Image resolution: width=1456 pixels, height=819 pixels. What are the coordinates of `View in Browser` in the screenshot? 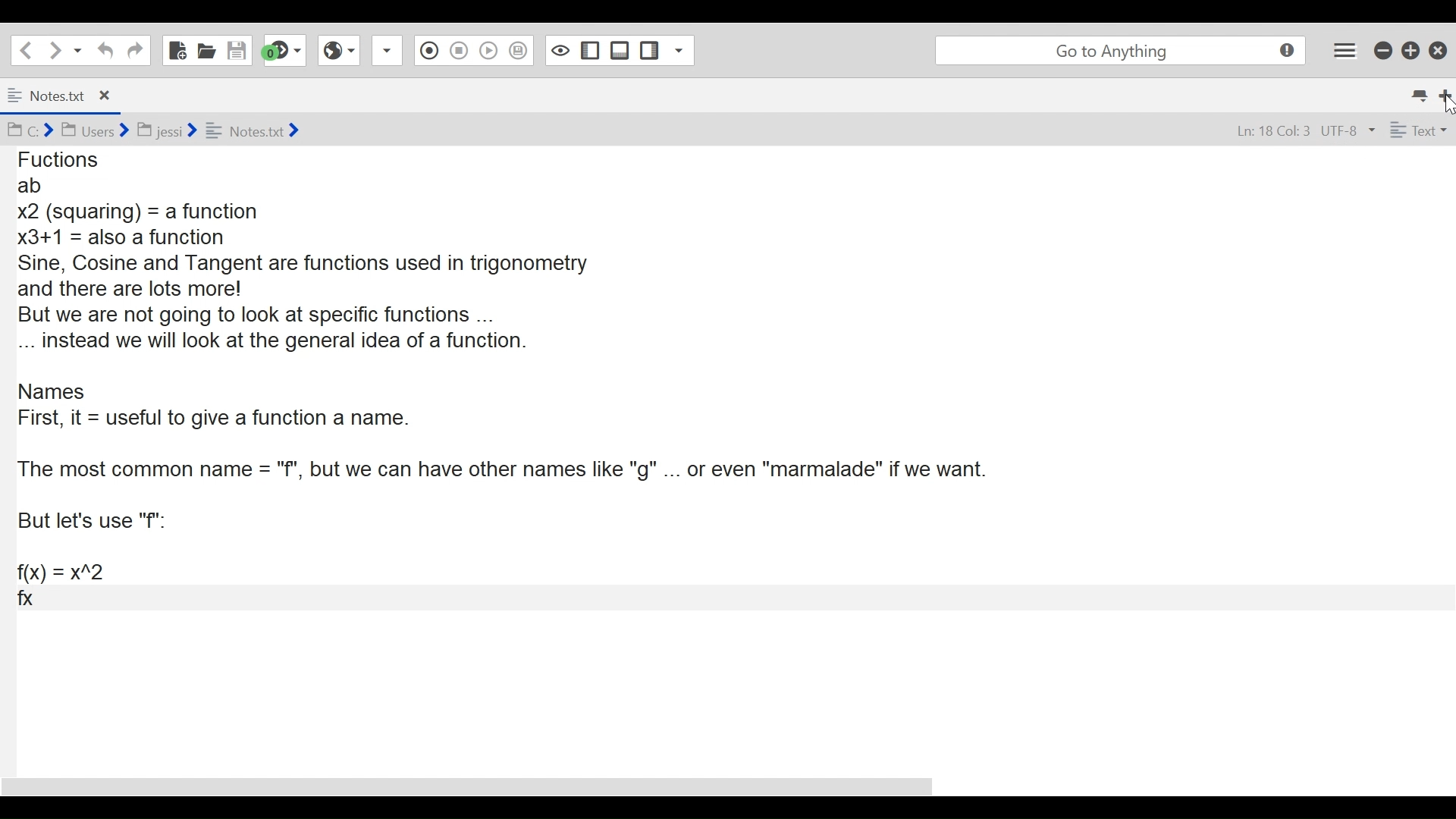 It's located at (340, 51).